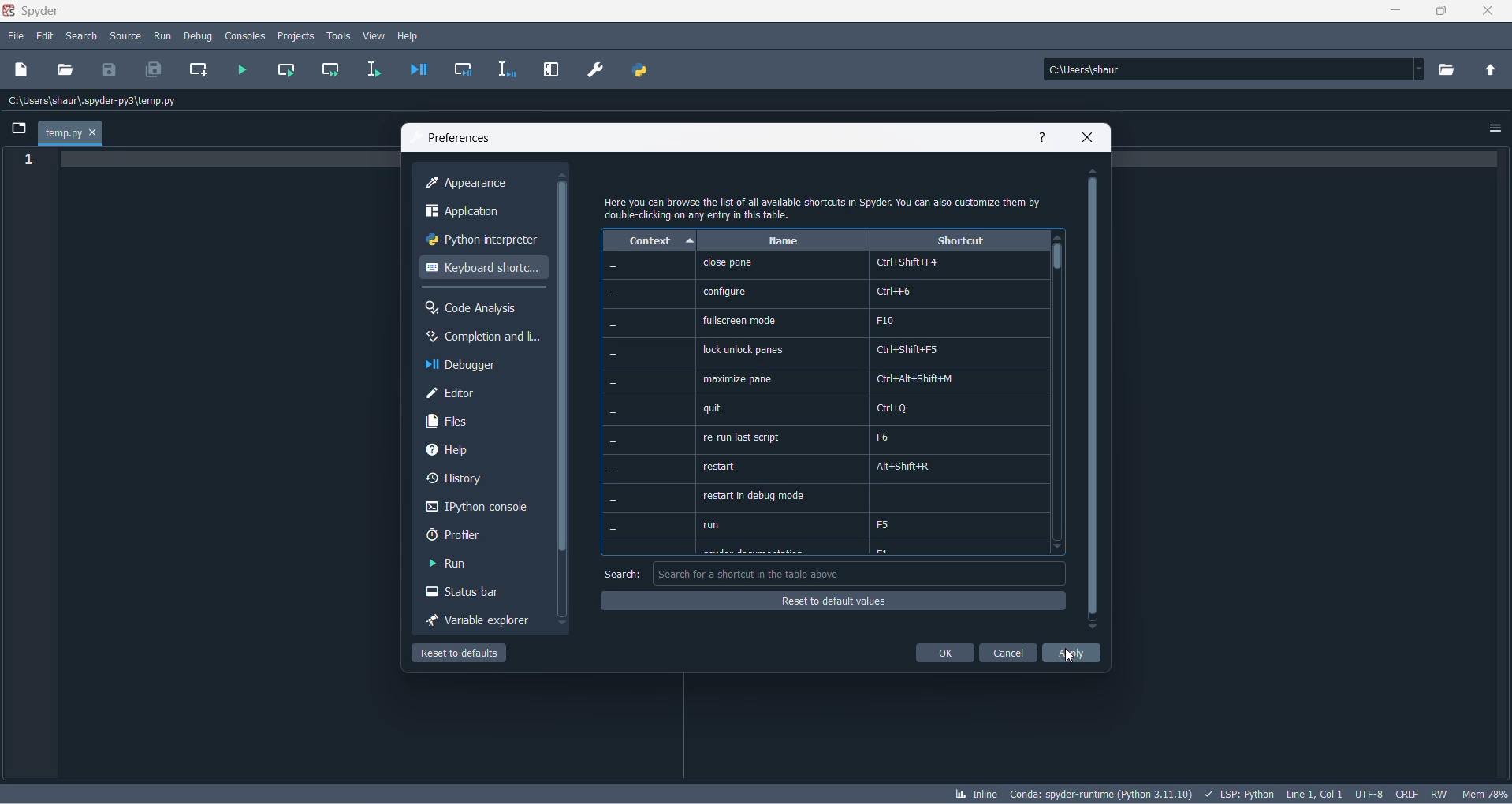 The height and width of the screenshot is (804, 1512). What do you see at coordinates (613, 266) in the screenshot?
I see `-` at bounding box center [613, 266].